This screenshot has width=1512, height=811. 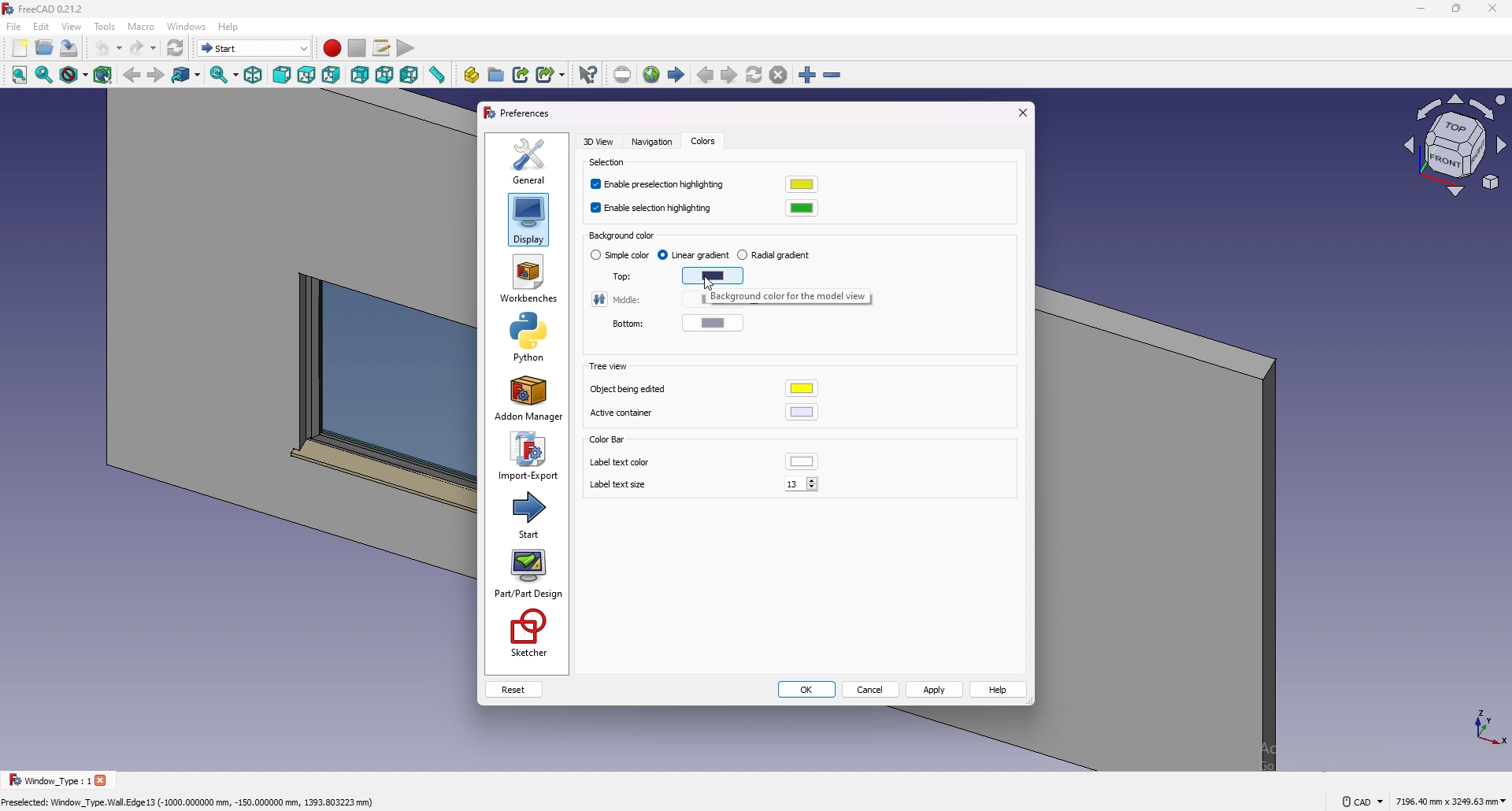 What do you see at coordinates (621, 324) in the screenshot?
I see `bottom` at bounding box center [621, 324].